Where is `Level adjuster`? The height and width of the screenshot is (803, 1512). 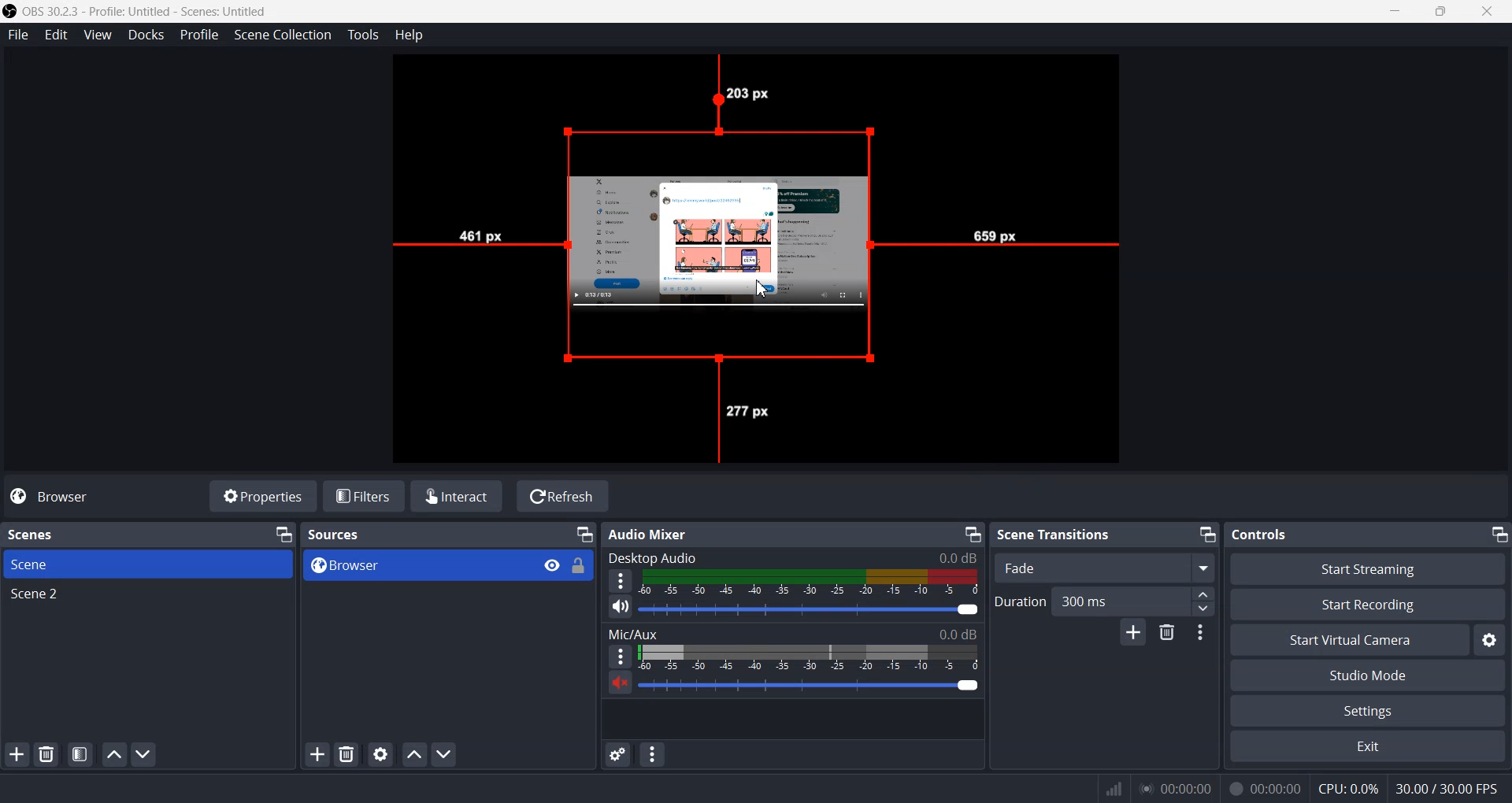 Level adjuster is located at coordinates (1204, 601).